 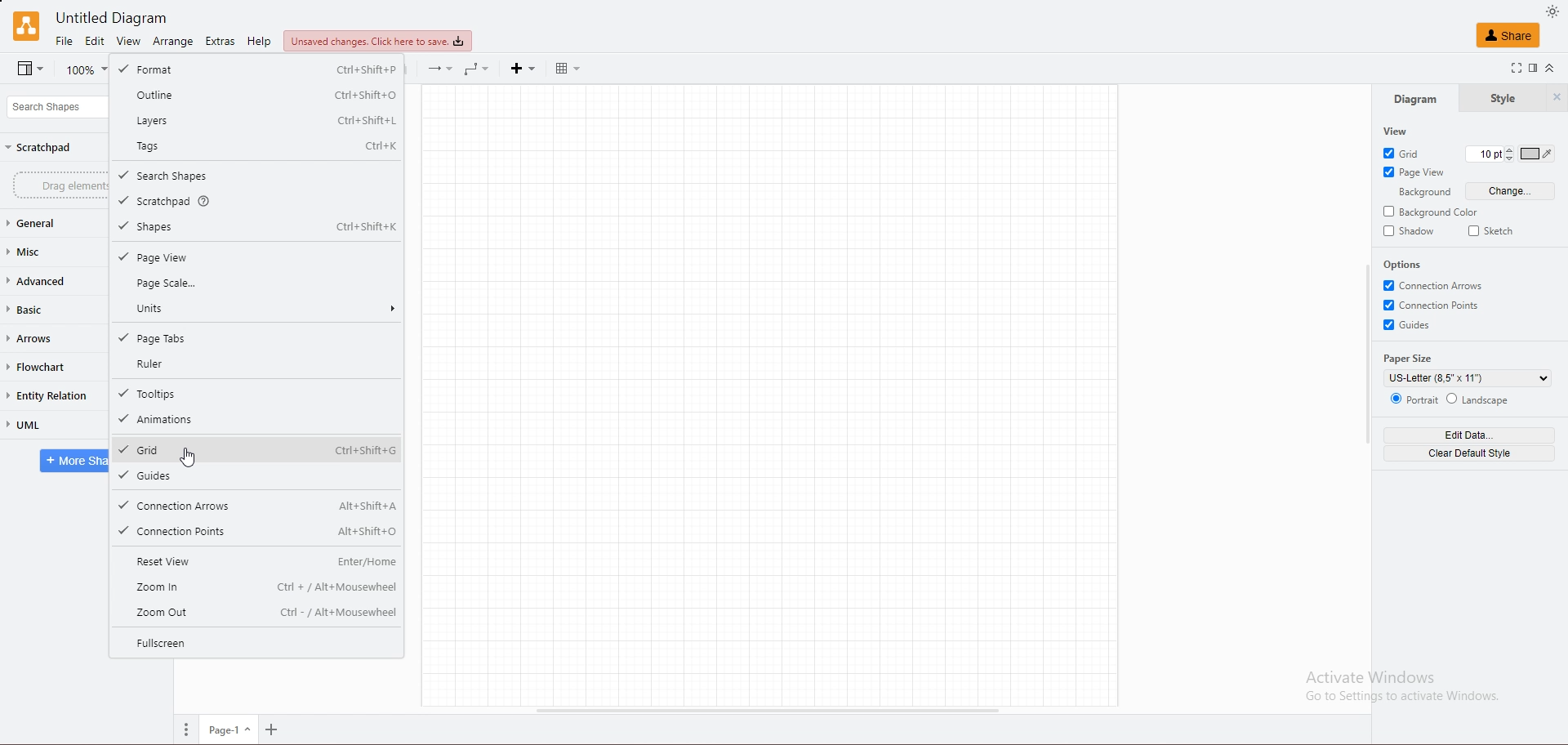 I want to click on more options, so click(x=180, y=729).